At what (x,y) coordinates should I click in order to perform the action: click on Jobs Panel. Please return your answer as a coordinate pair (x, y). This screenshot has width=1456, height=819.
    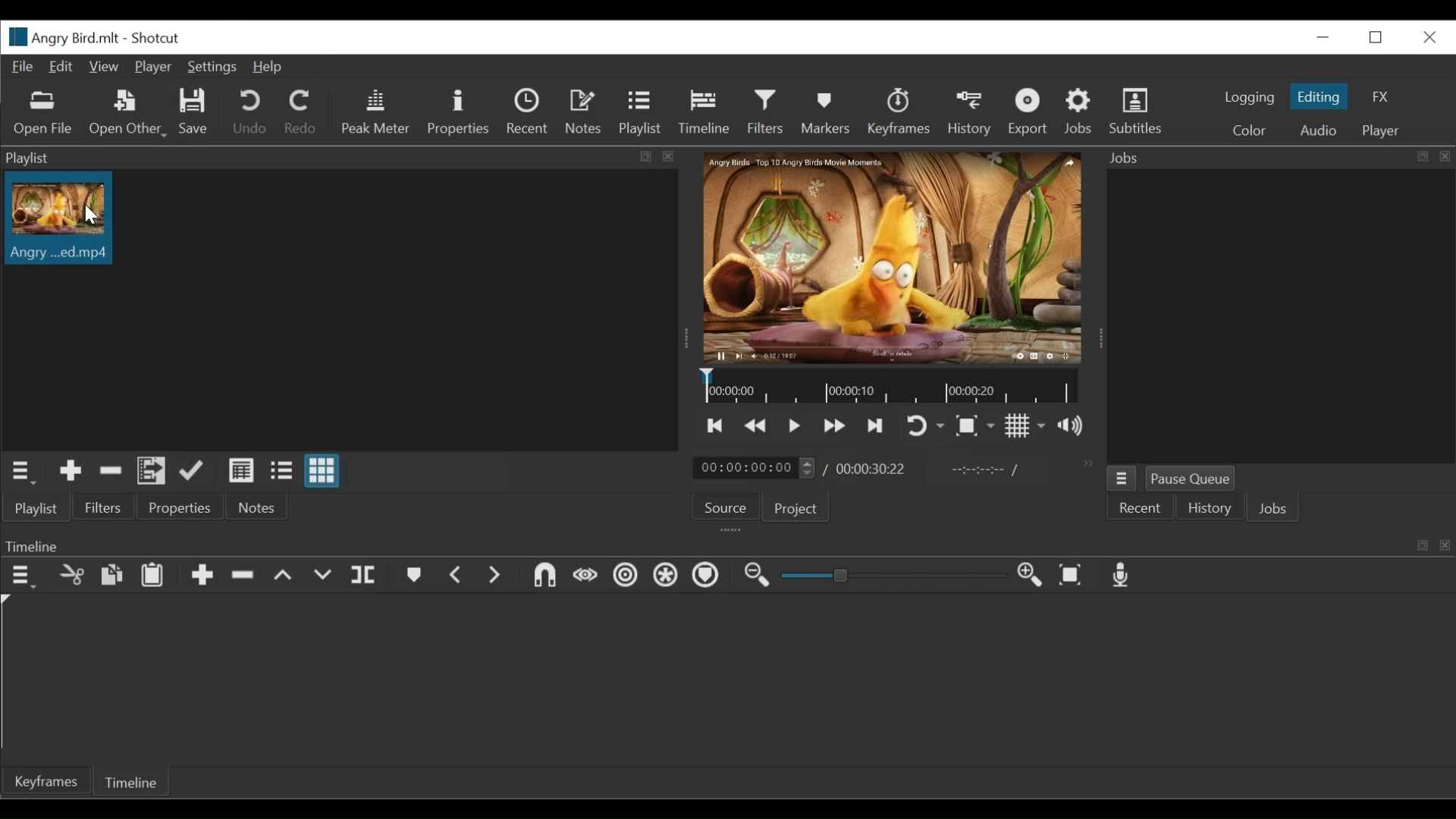
    Looking at the image, I should click on (1279, 158).